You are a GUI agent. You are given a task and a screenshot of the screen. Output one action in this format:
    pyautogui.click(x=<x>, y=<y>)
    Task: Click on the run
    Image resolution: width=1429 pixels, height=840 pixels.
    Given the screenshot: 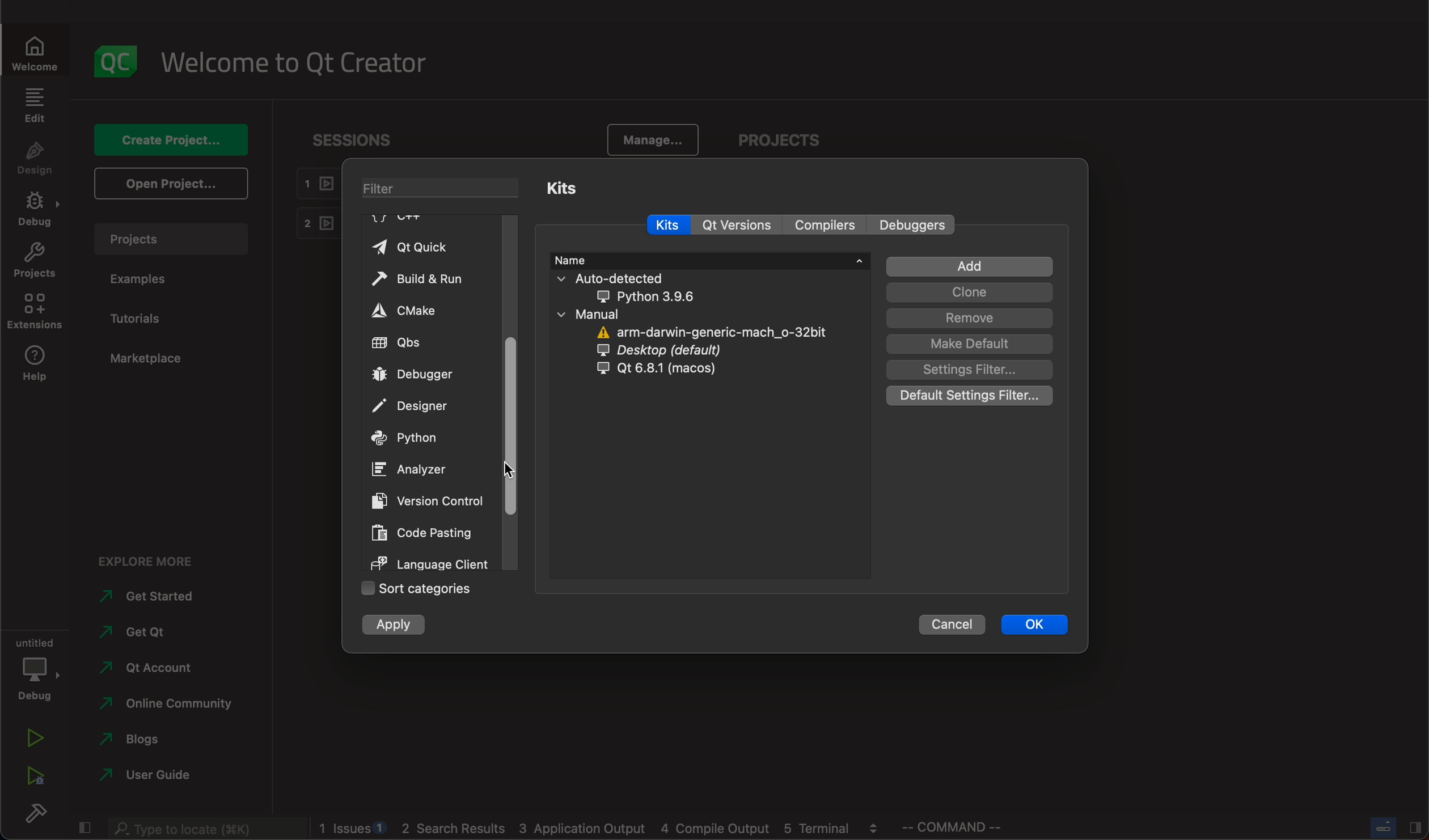 What is the action you would take?
    pyautogui.click(x=37, y=740)
    